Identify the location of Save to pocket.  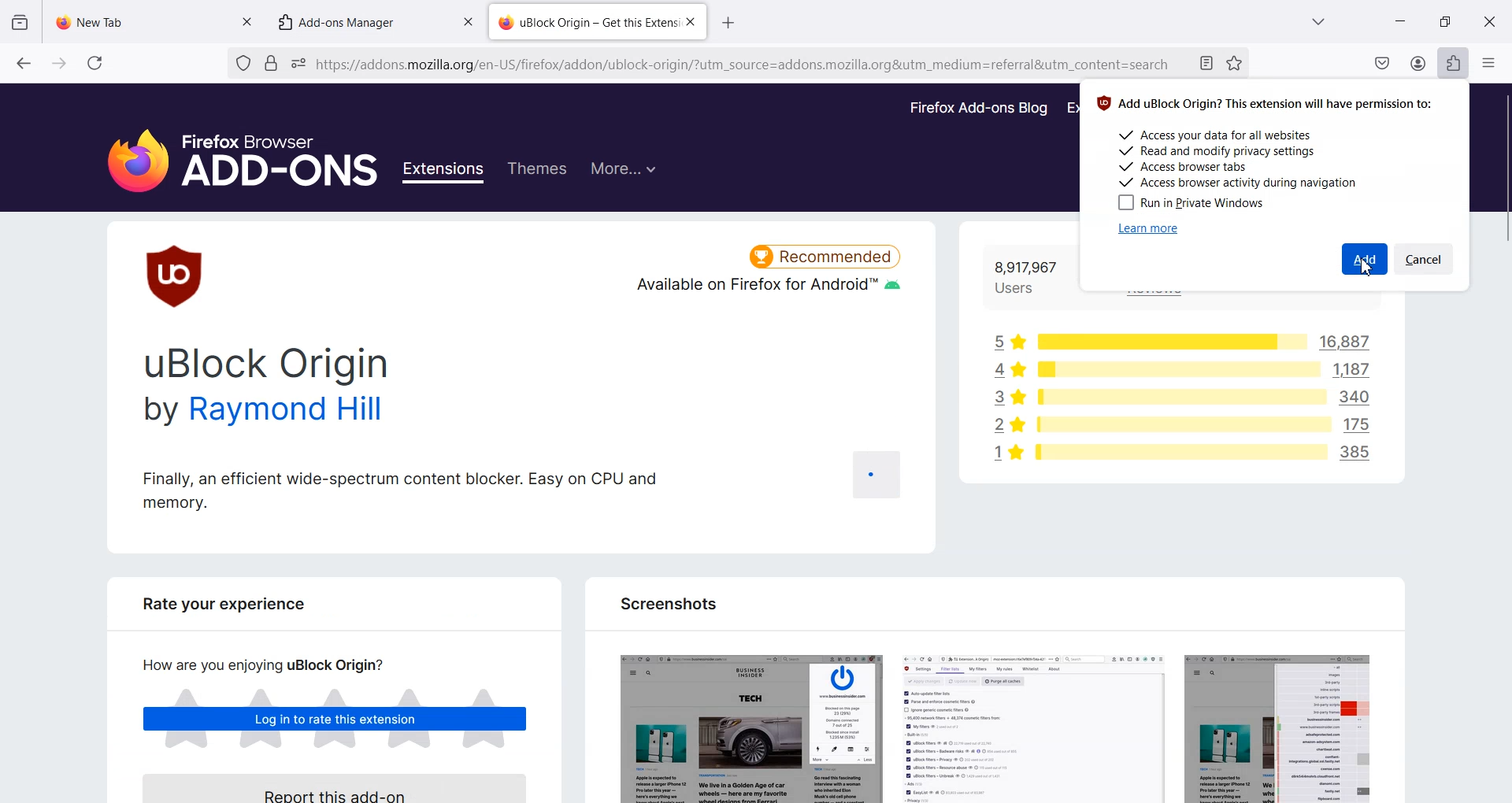
(1383, 63).